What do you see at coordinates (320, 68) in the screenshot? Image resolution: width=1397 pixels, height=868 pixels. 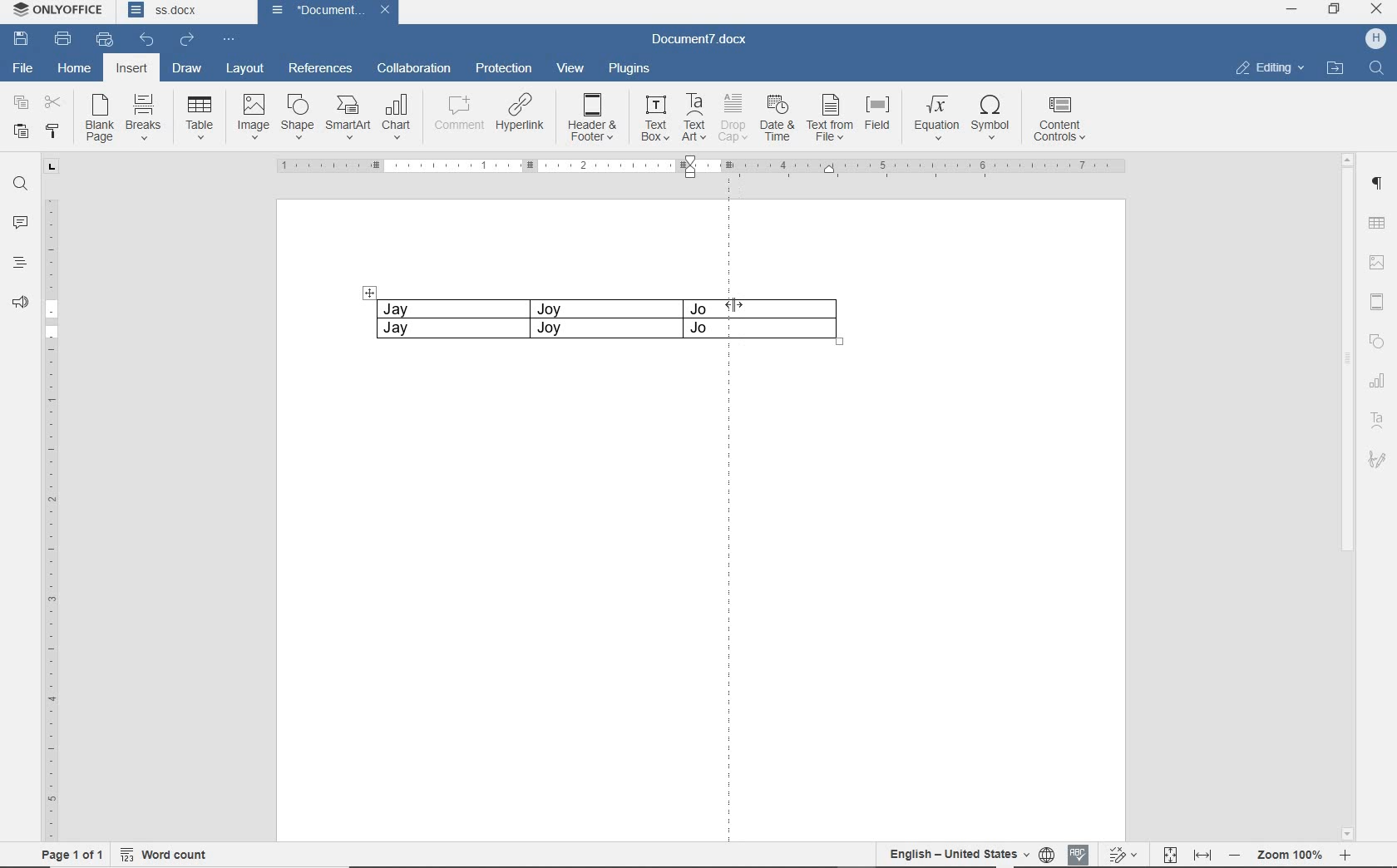 I see `REFERENCES` at bounding box center [320, 68].